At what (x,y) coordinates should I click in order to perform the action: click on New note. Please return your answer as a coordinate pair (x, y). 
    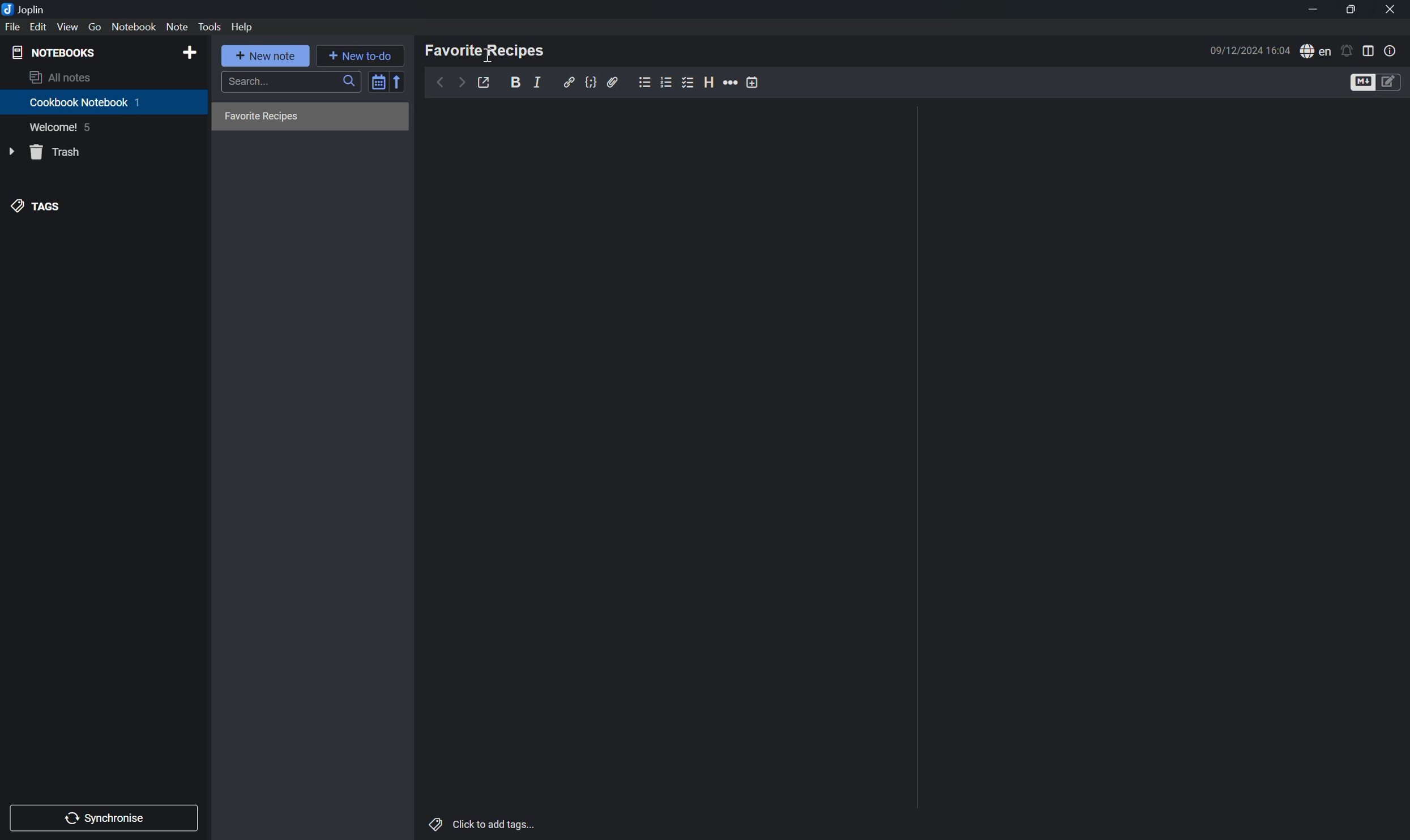
    Looking at the image, I should click on (266, 54).